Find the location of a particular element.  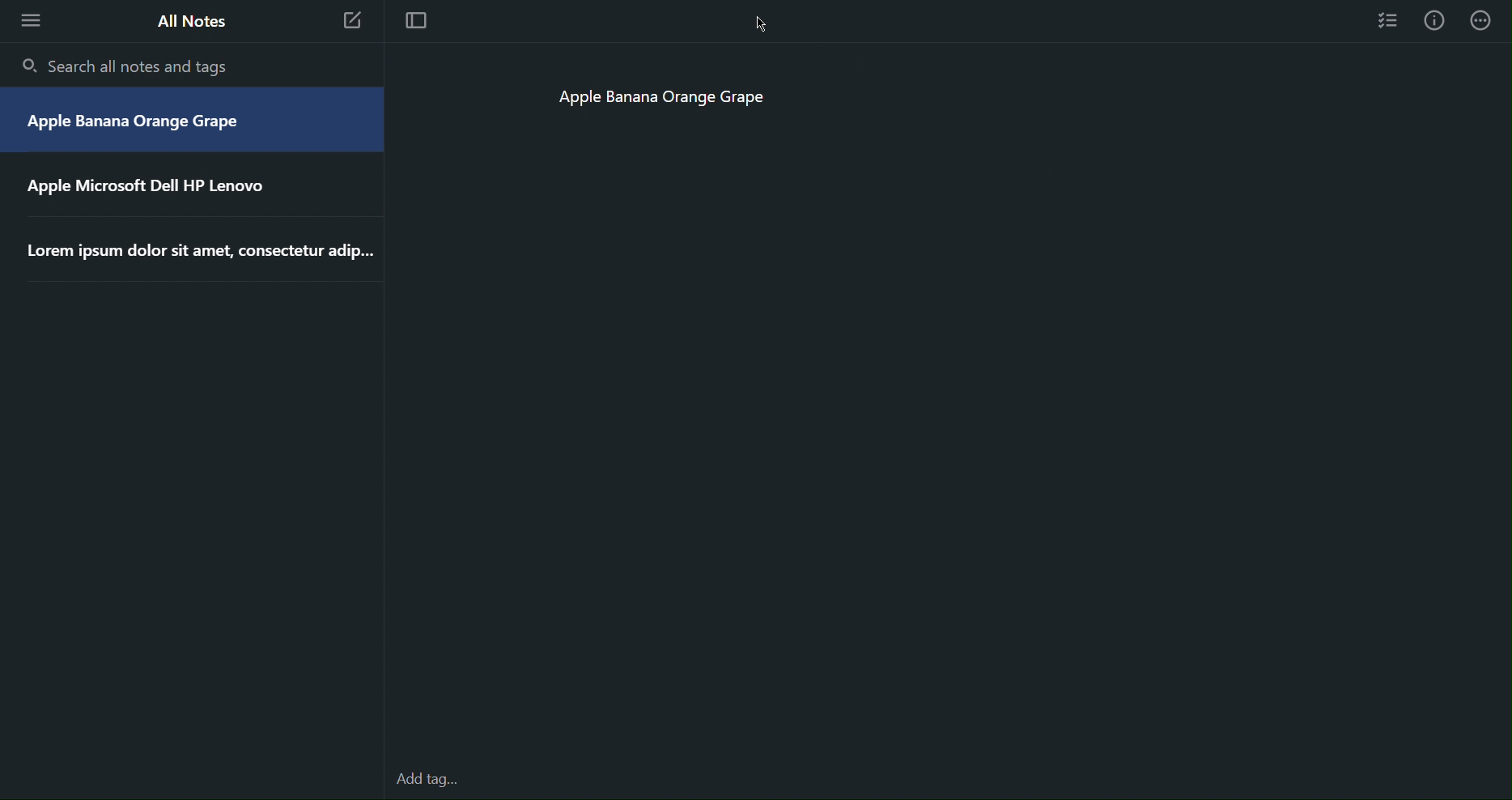

More is located at coordinates (1483, 20).